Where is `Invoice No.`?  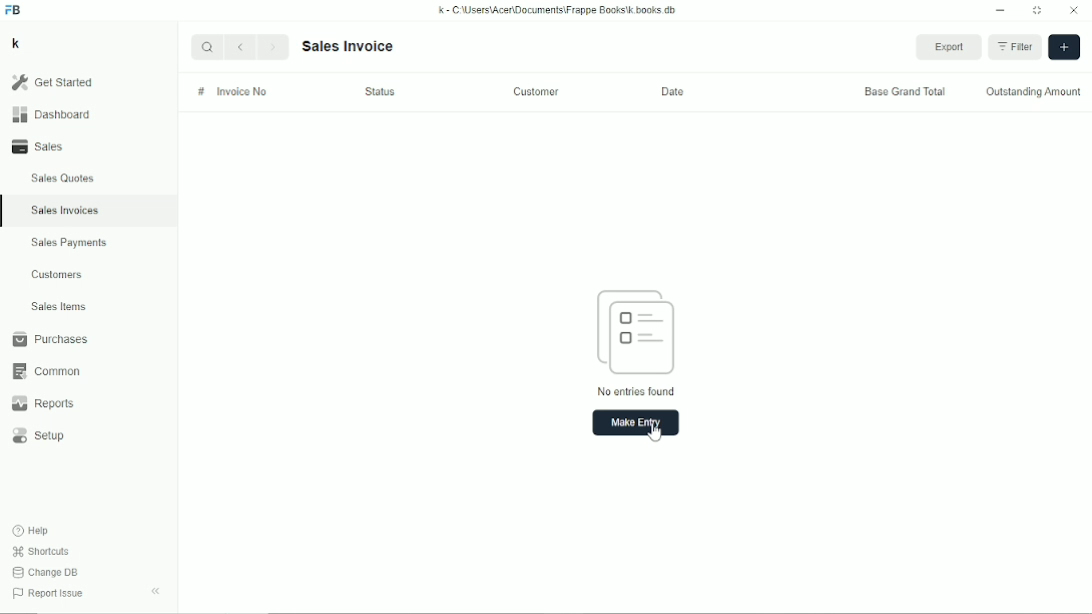 Invoice No. is located at coordinates (242, 92).